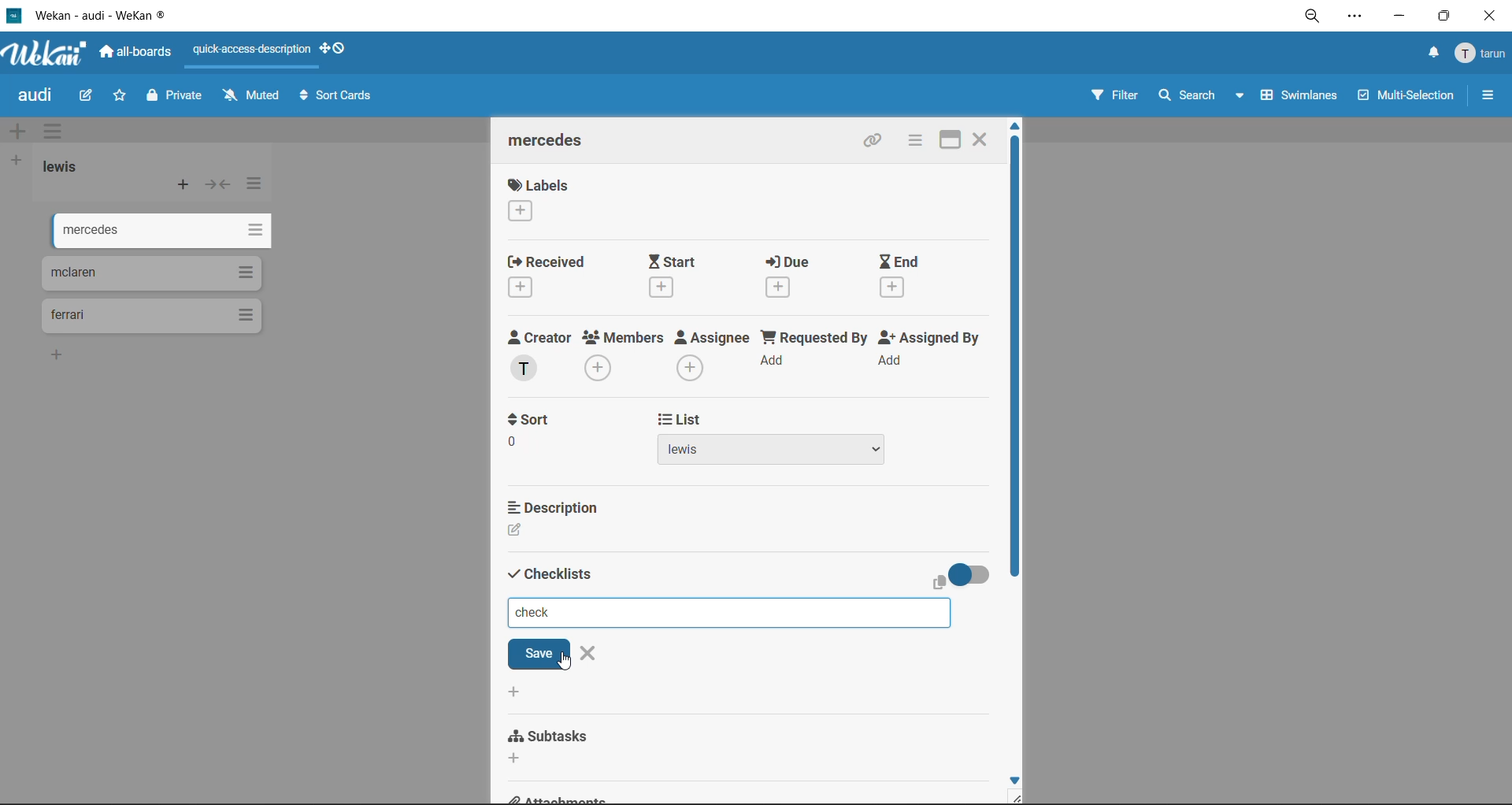 This screenshot has width=1512, height=805. I want to click on assigned by, so click(933, 354).